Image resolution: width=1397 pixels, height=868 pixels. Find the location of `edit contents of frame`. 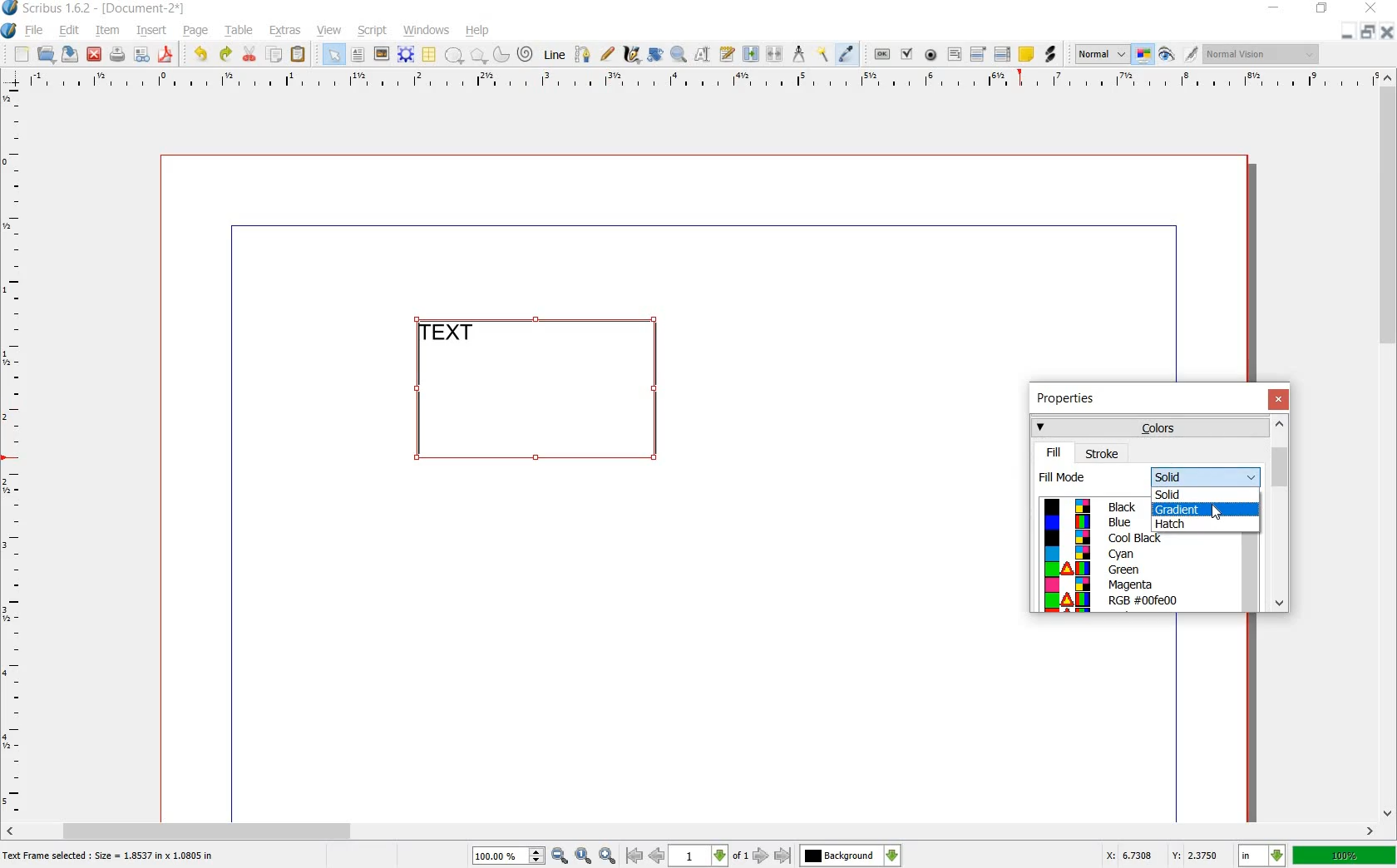

edit contents of frame is located at coordinates (703, 55).